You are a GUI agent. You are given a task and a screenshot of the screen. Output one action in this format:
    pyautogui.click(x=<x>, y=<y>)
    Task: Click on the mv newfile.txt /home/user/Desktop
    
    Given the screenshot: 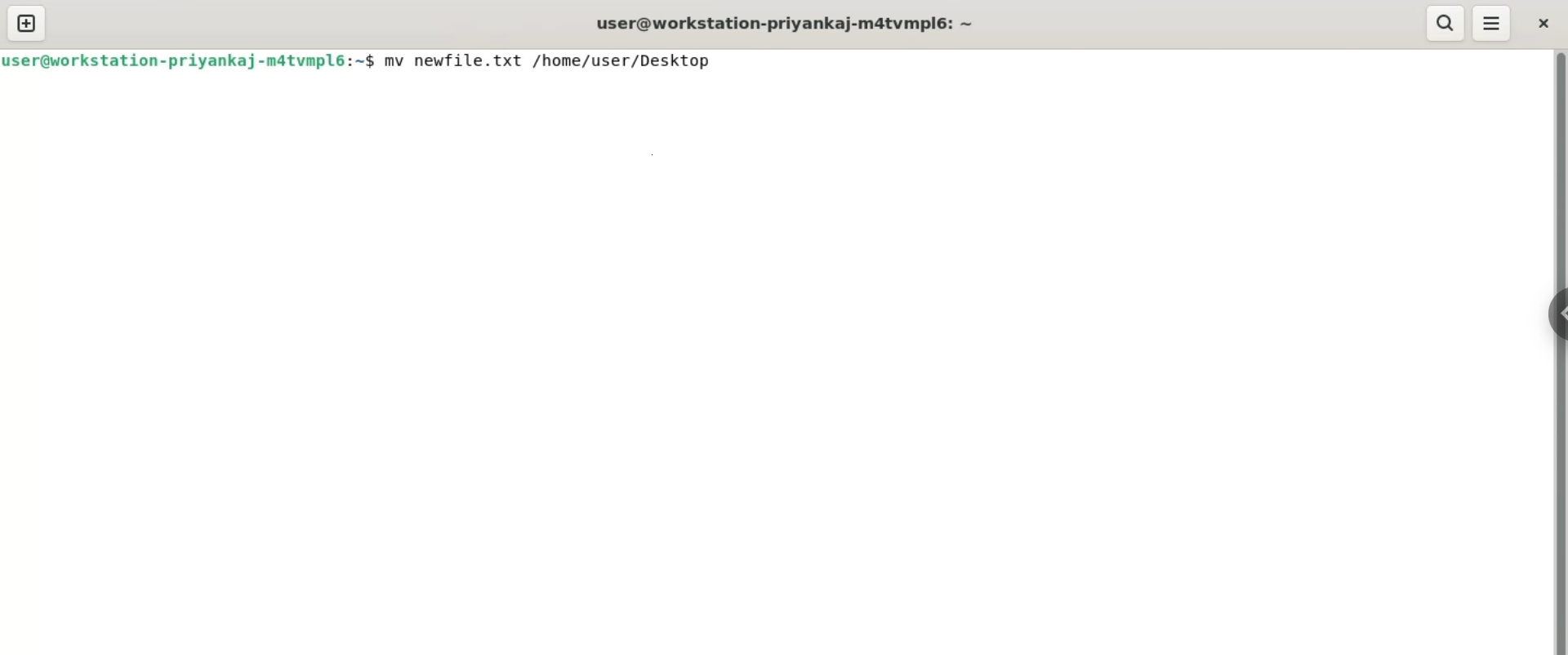 What is the action you would take?
    pyautogui.click(x=547, y=60)
    